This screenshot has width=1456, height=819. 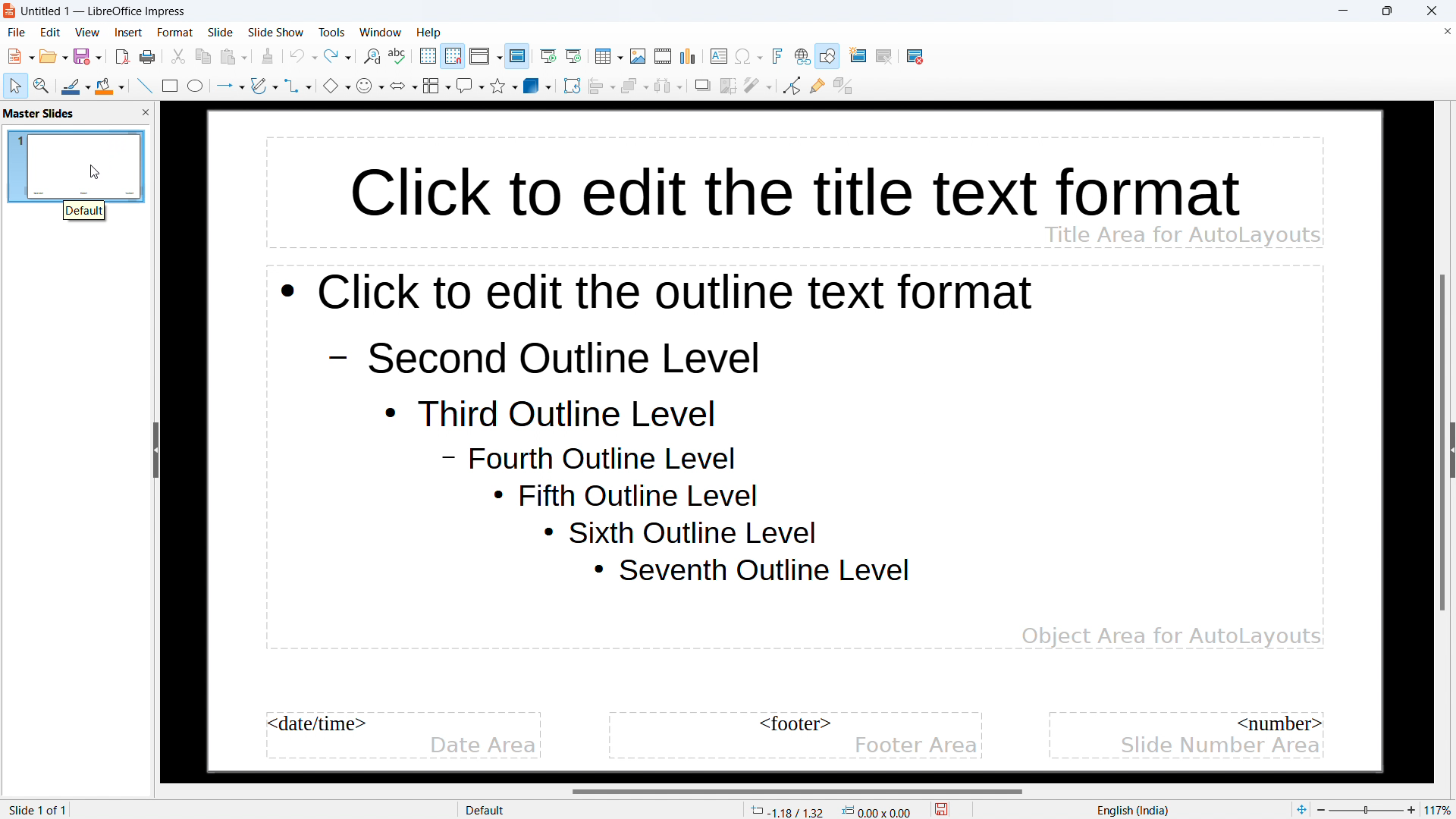 What do you see at coordinates (1301, 809) in the screenshot?
I see `fit to page` at bounding box center [1301, 809].